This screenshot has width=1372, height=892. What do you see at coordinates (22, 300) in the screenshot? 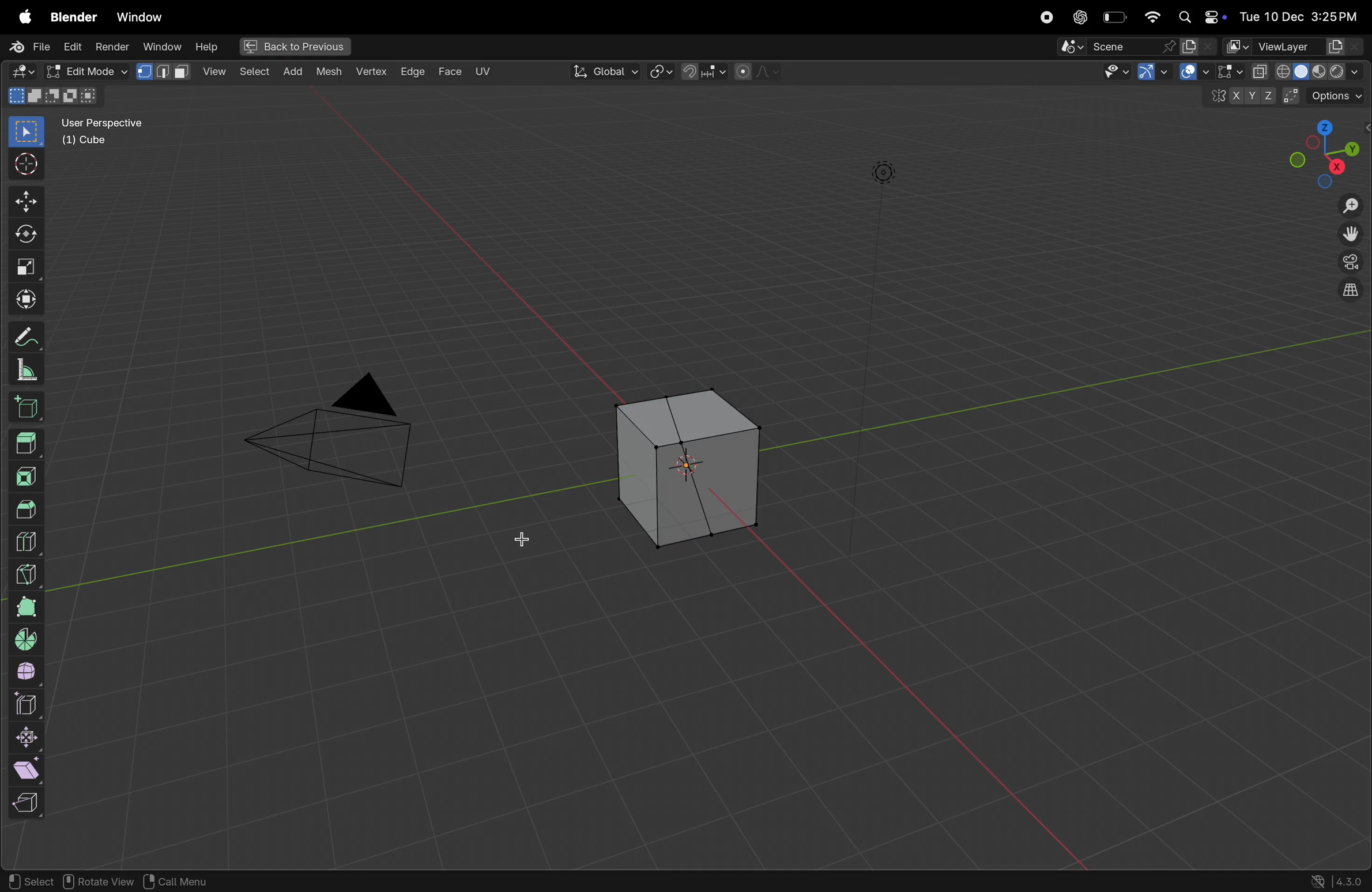
I see `transform` at bounding box center [22, 300].